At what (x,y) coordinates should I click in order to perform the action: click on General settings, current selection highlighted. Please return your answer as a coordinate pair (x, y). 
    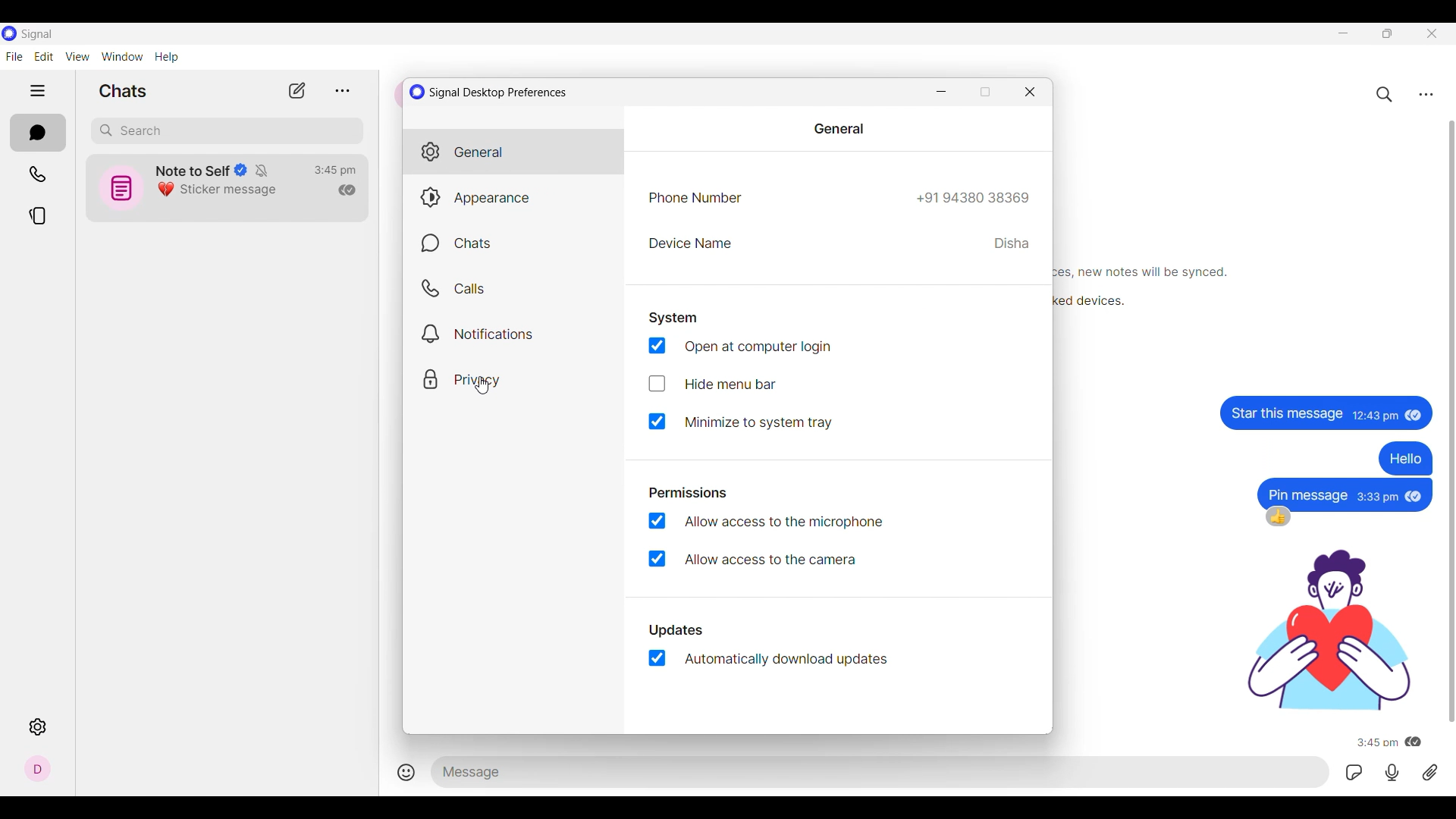
    Looking at the image, I should click on (513, 151).